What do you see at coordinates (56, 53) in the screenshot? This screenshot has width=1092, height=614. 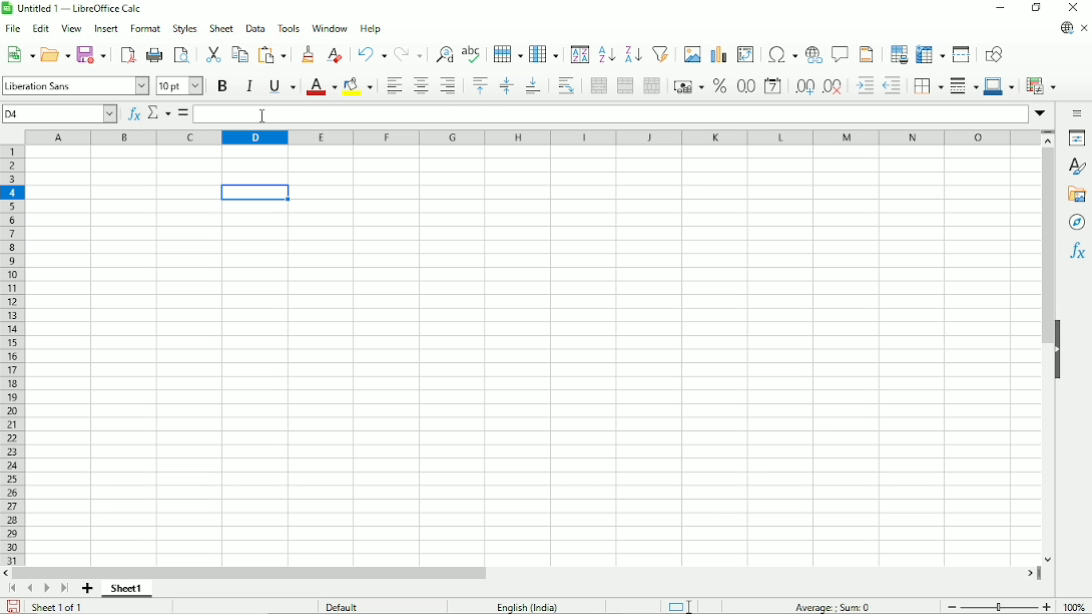 I see `Open` at bounding box center [56, 53].